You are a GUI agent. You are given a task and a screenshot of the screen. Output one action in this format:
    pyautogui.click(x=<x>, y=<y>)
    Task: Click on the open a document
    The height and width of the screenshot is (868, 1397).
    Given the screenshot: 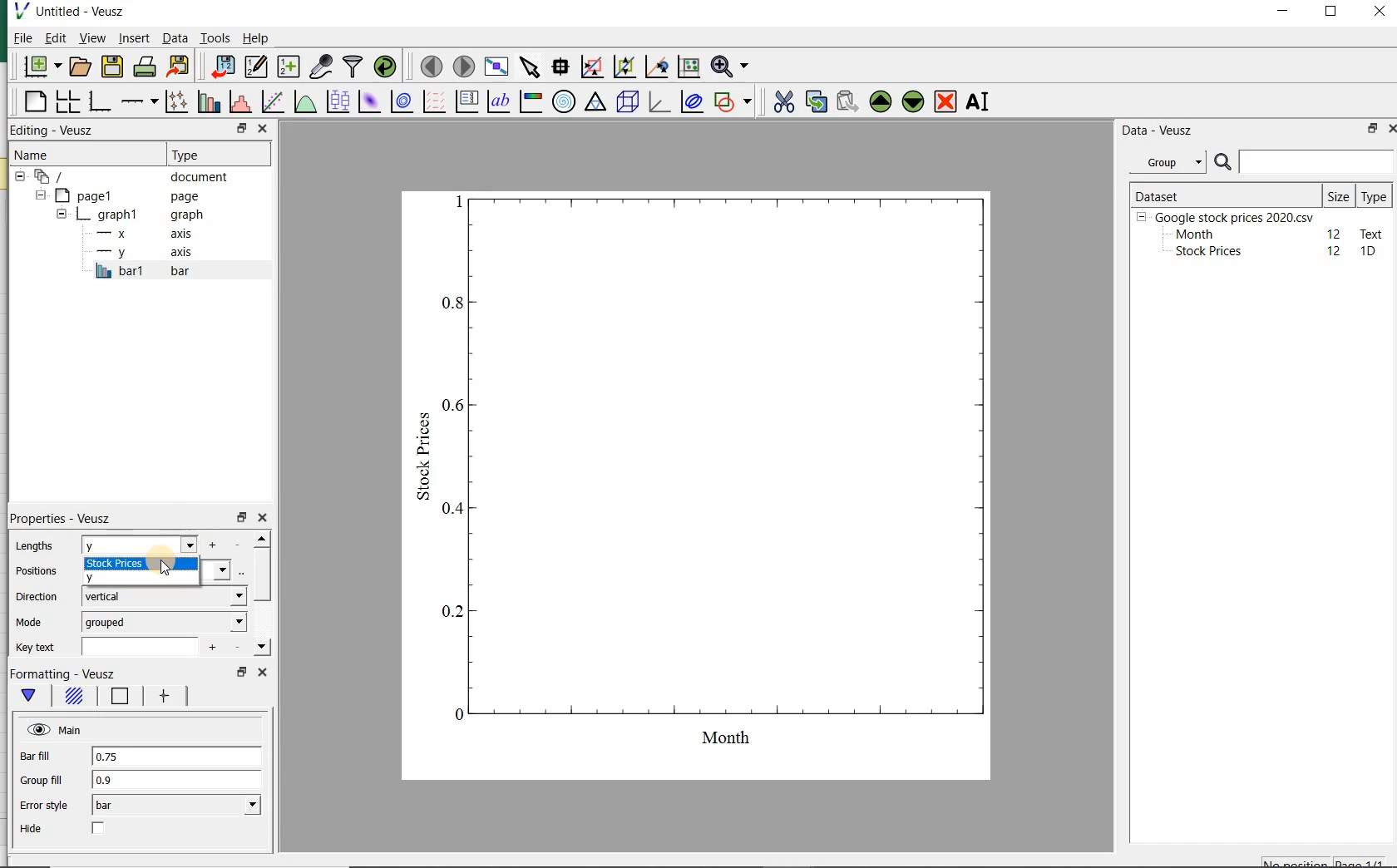 What is the action you would take?
    pyautogui.click(x=81, y=66)
    